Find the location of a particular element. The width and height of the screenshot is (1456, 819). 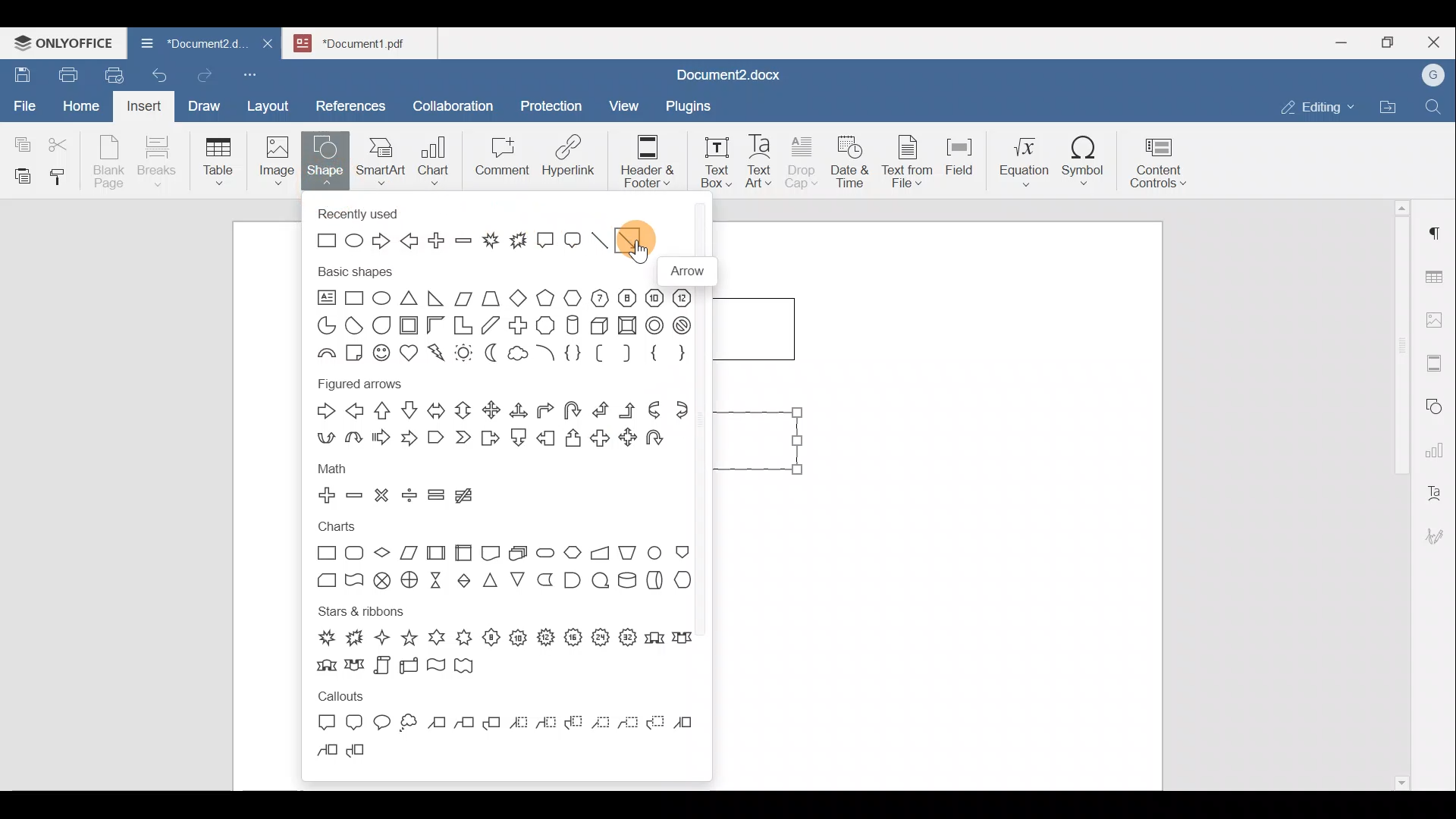

Paragraph settings is located at coordinates (1436, 227).